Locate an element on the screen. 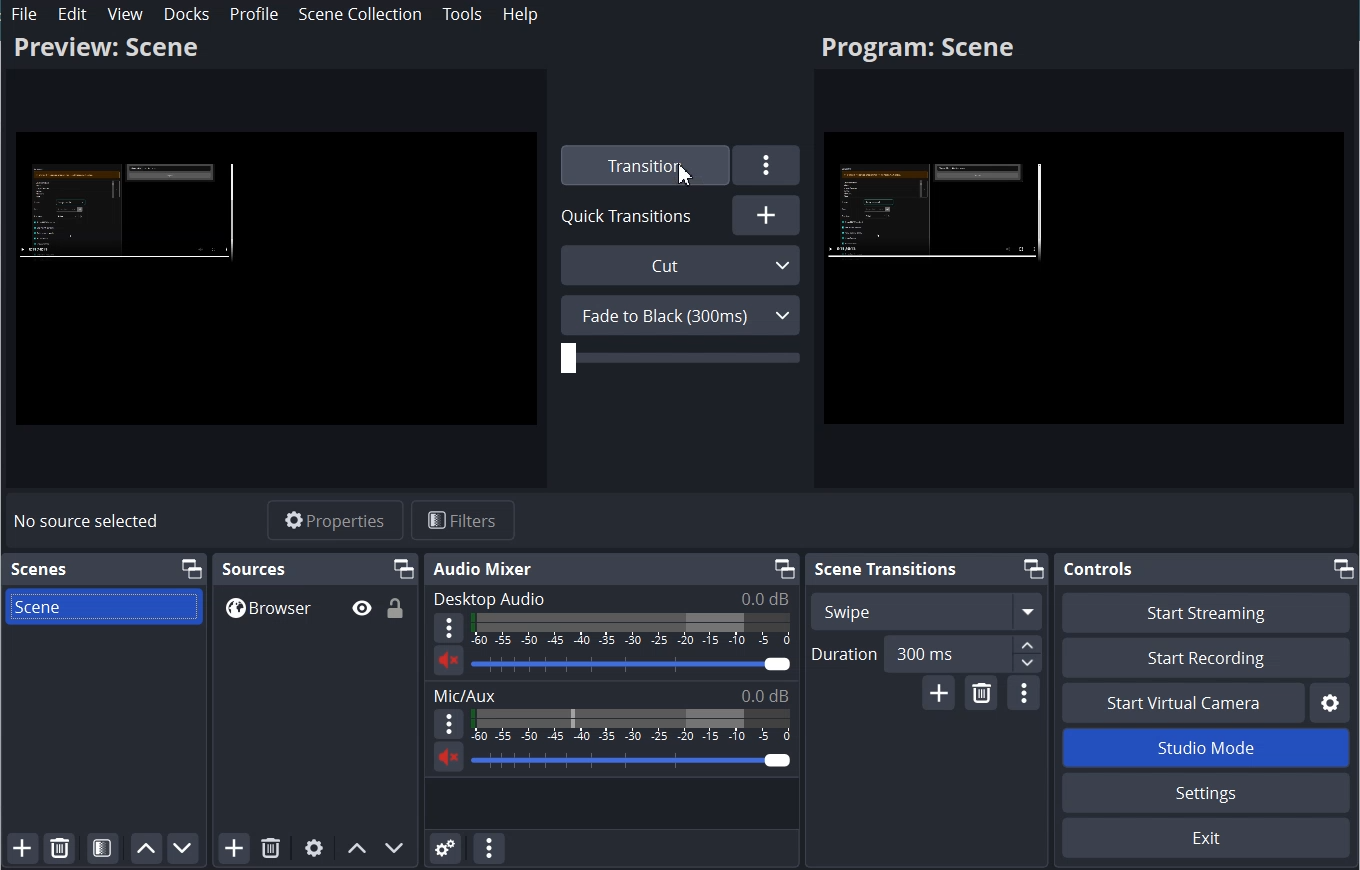  Add is located at coordinates (766, 214).